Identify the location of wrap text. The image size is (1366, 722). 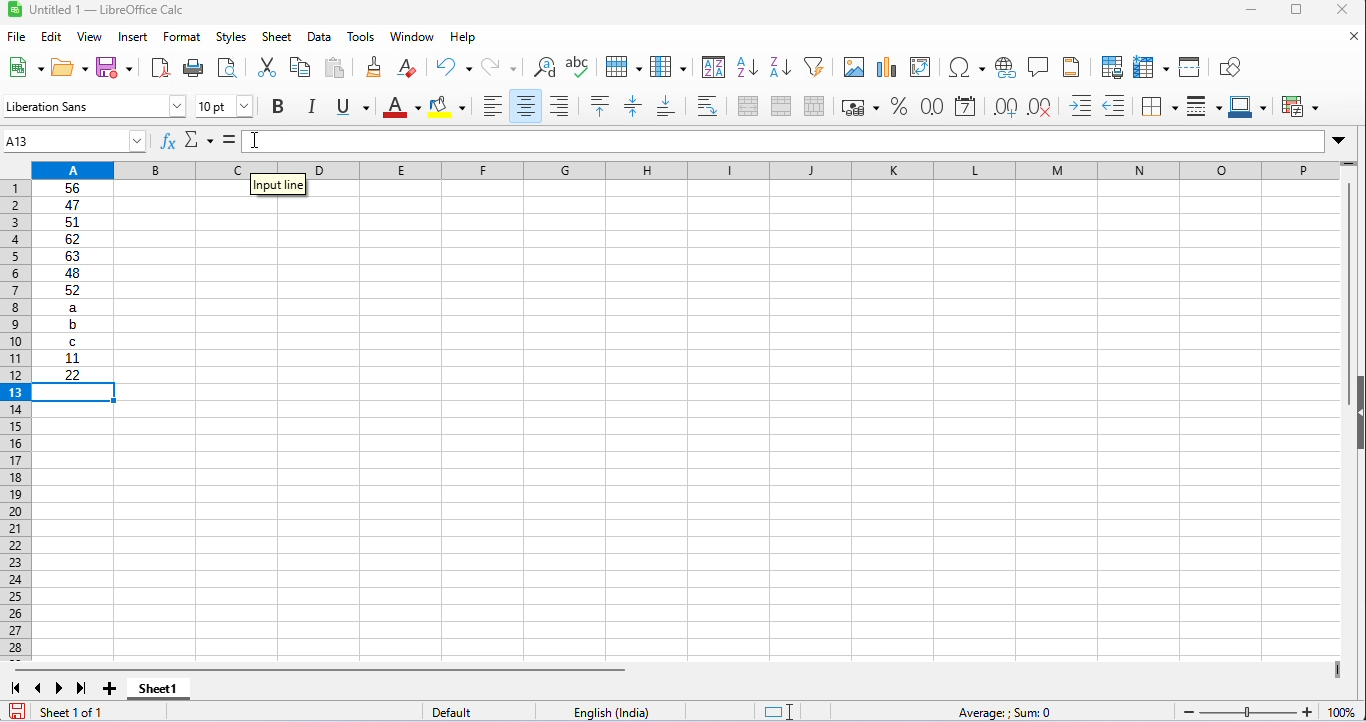
(707, 106).